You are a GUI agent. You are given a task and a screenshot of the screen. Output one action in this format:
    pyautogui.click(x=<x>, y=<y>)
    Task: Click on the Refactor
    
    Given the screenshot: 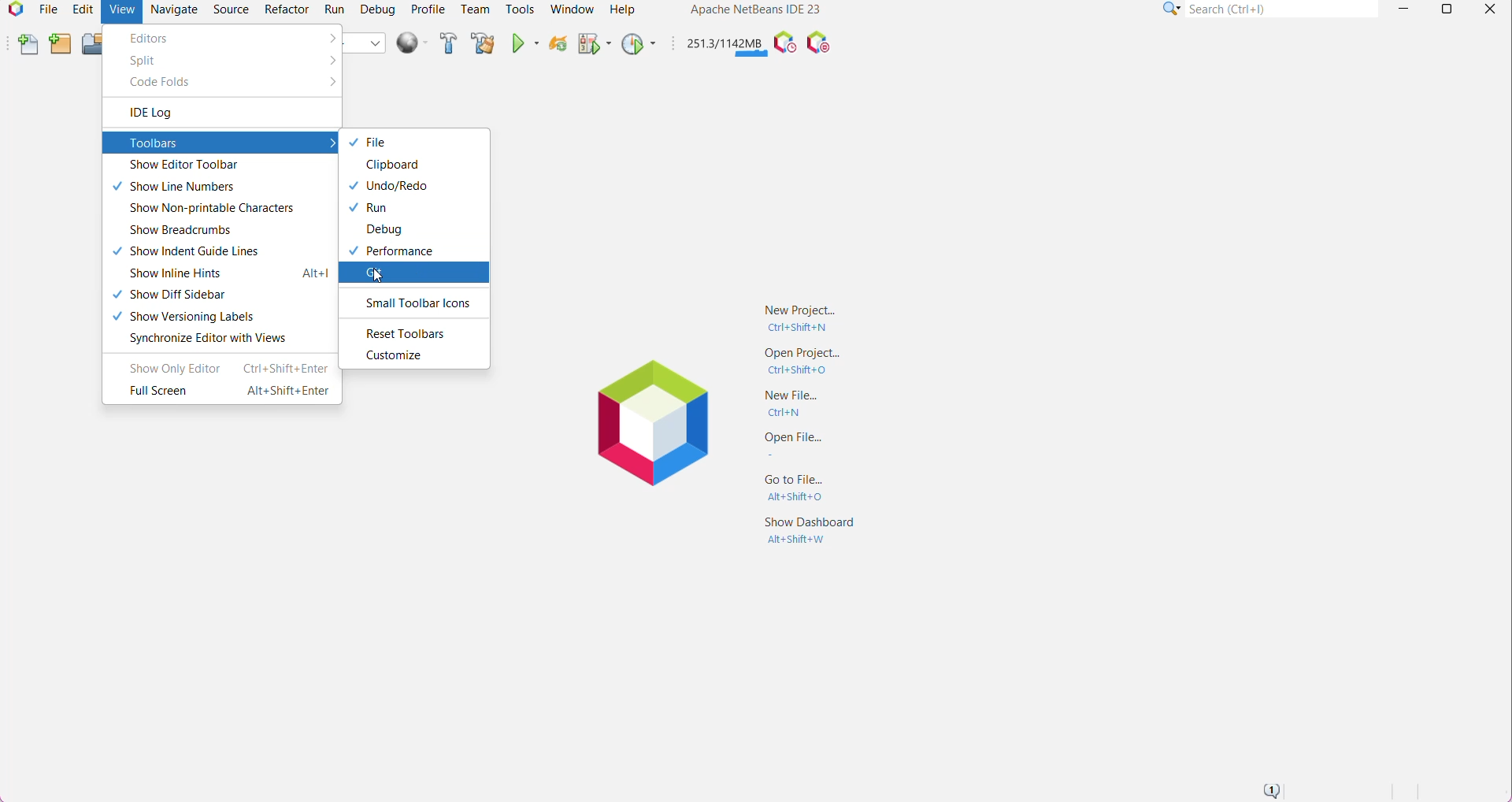 What is the action you would take?
    pyautogui.click(x=285, y=9)
    